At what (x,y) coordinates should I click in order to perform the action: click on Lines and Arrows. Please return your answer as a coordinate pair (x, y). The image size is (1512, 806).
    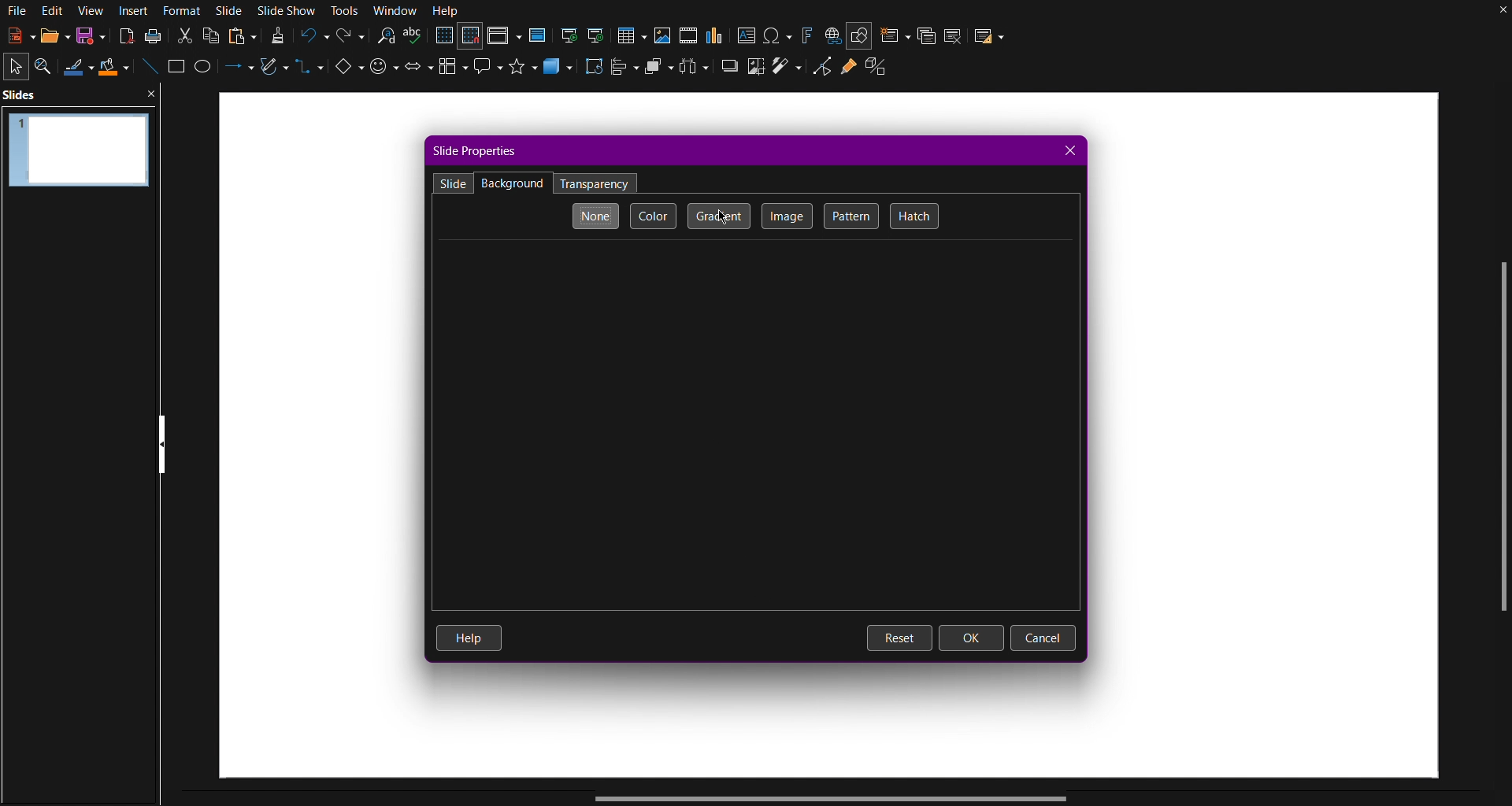
    Looking at the image, I should click on (235, 70).